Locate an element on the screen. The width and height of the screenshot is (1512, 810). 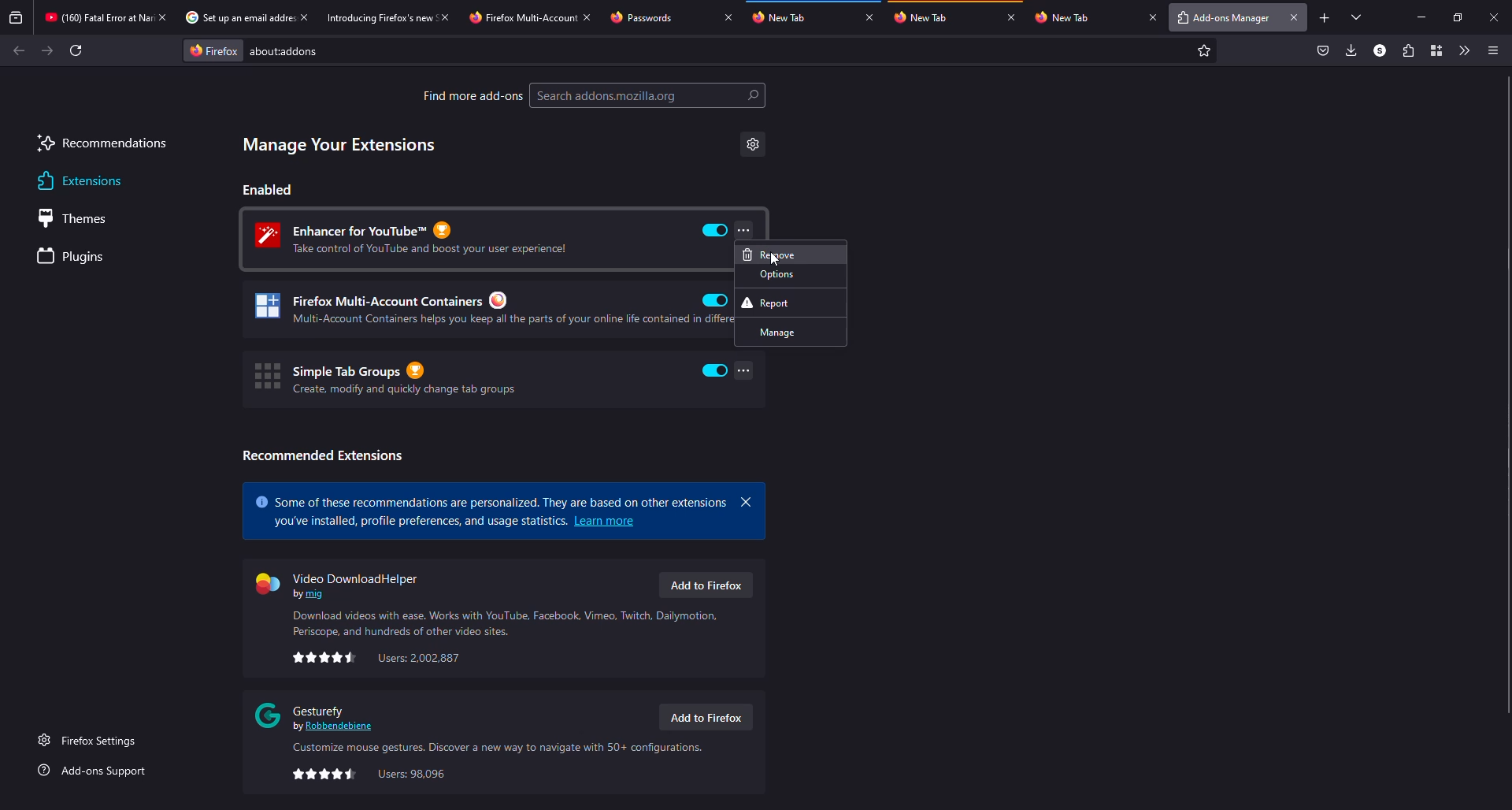
minimize is located at coordinates (1422, 17).